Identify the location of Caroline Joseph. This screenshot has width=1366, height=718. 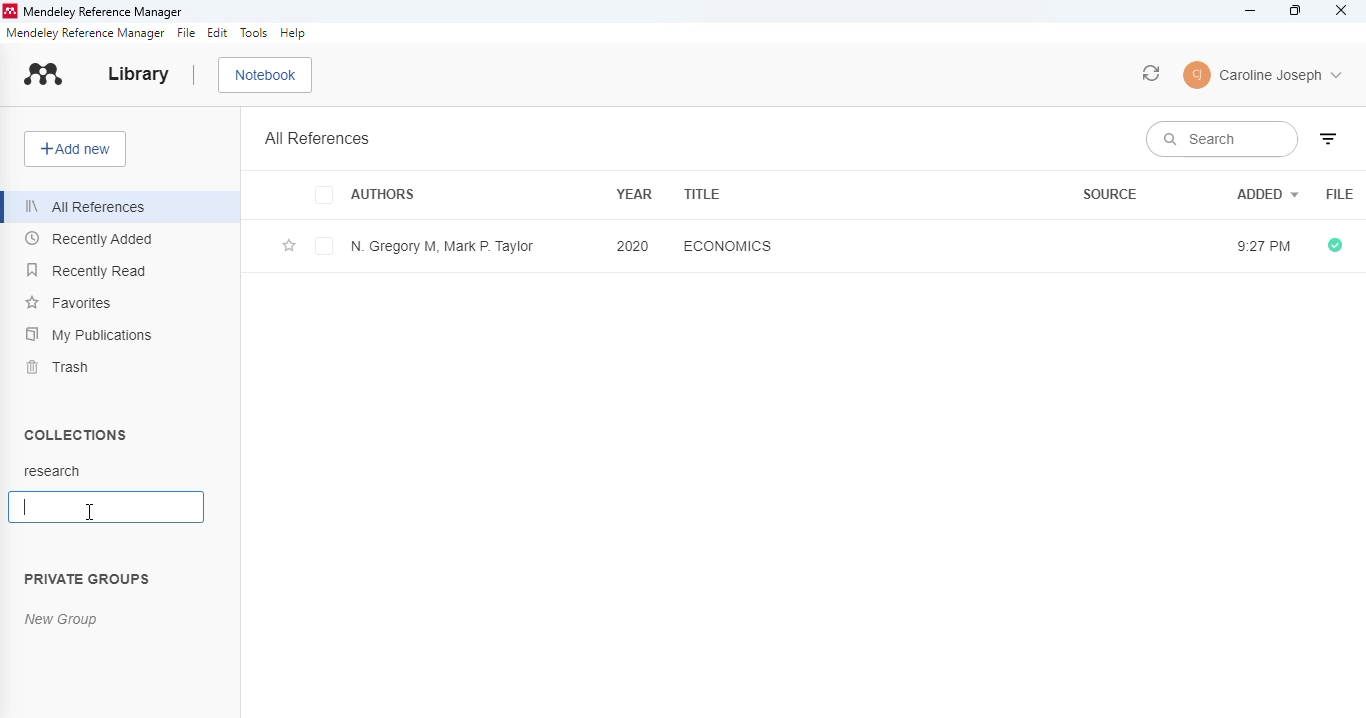
(1282, 77).